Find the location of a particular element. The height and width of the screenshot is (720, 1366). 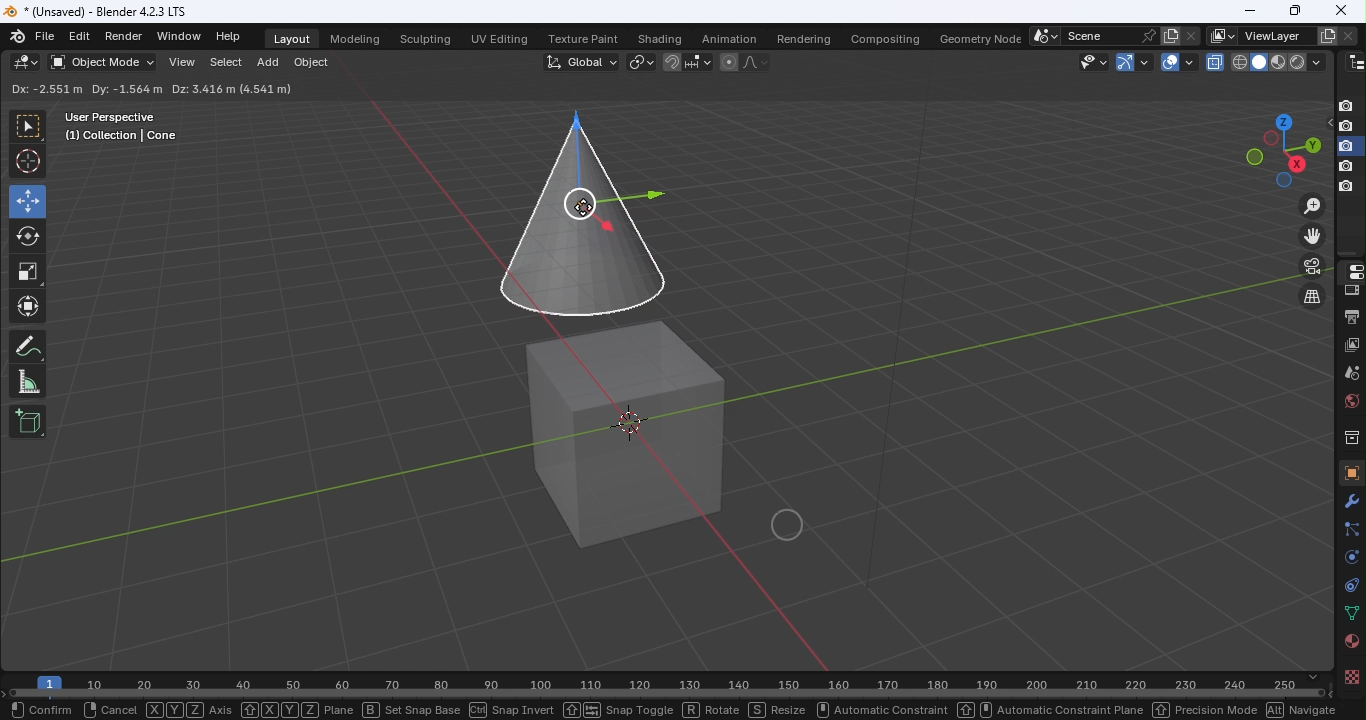

Editor type is located at coordinates (27, 62).